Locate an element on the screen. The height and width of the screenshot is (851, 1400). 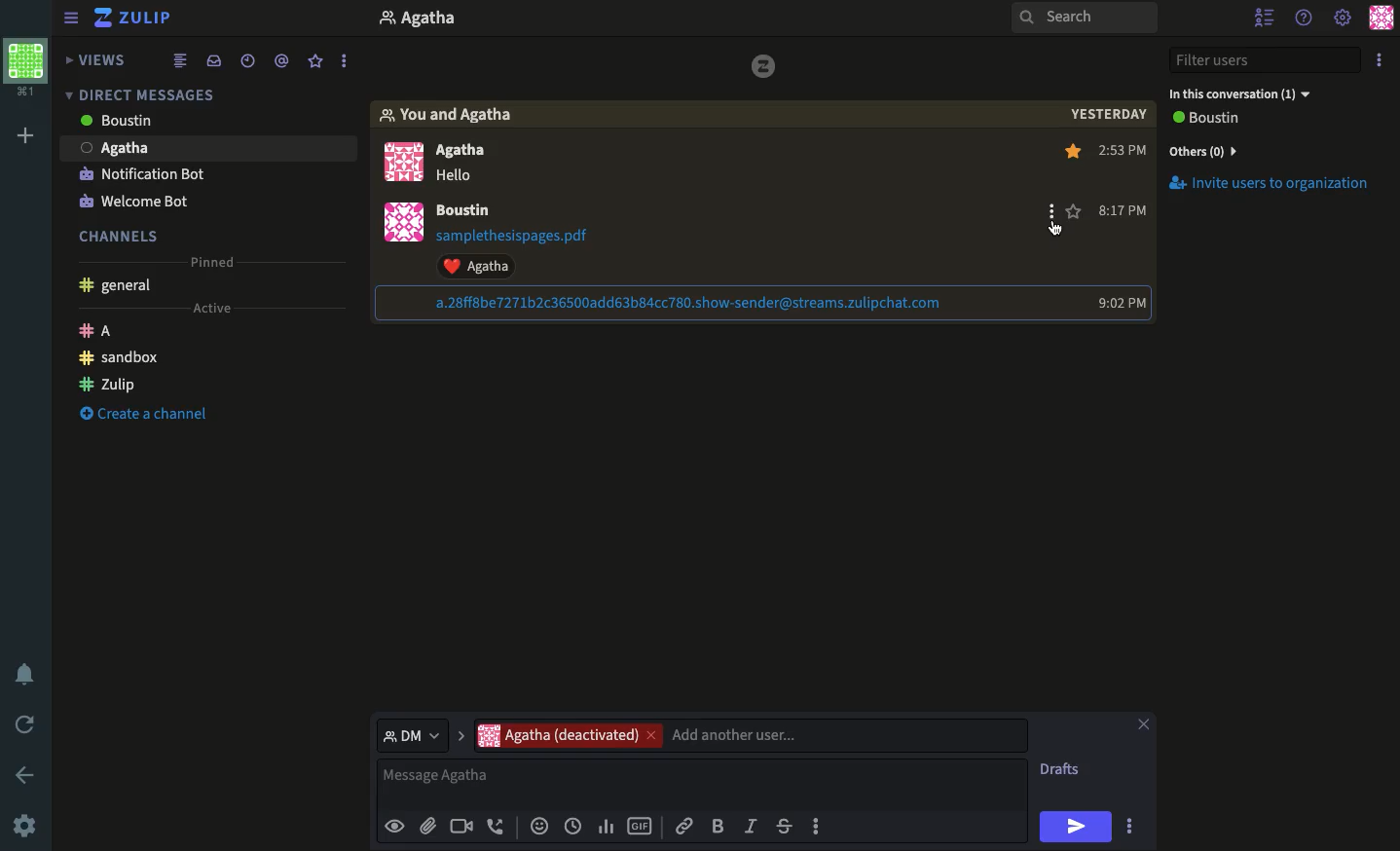
Drafts is located at coordinates (1062, 771).